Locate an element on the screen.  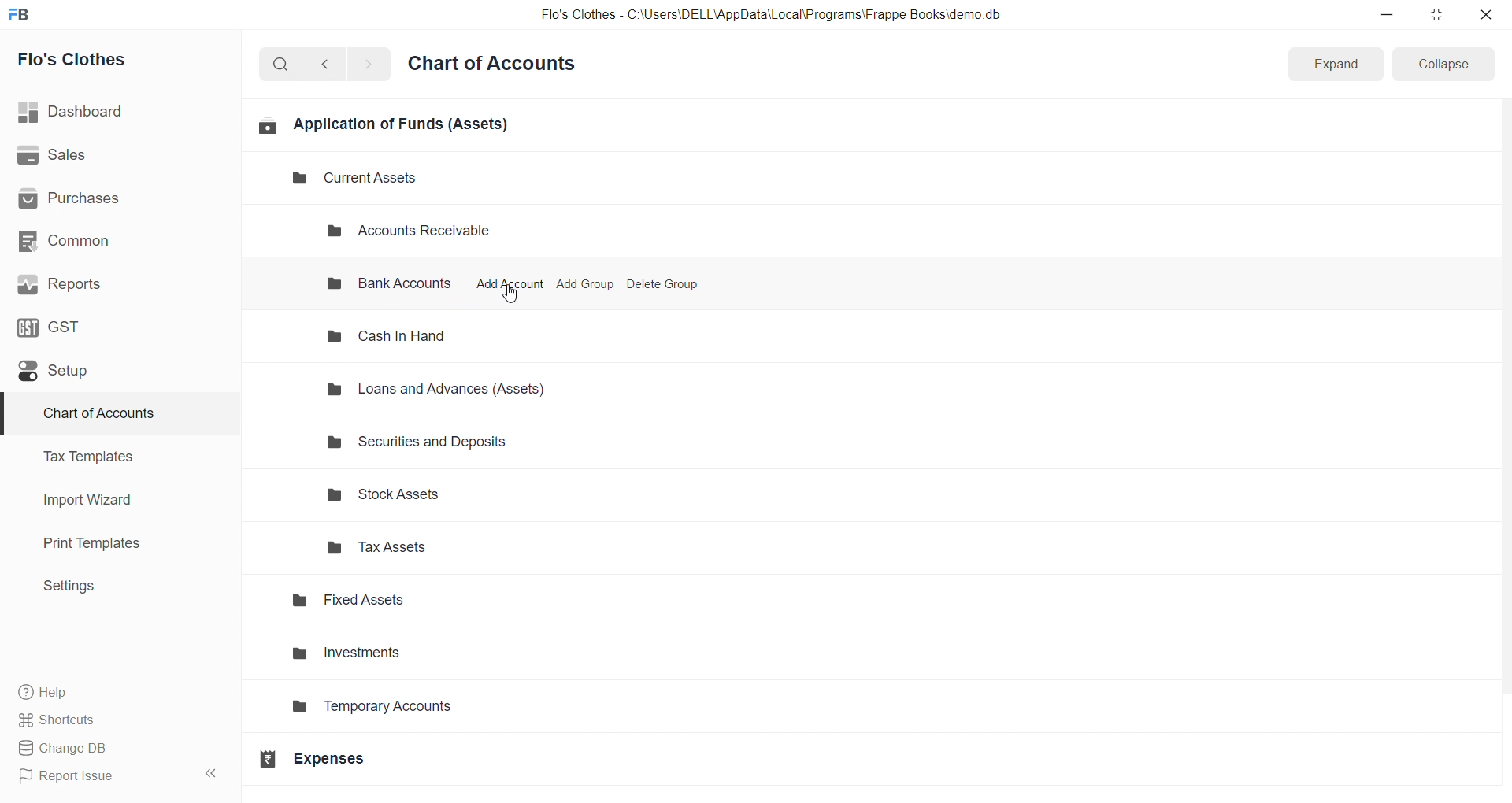
Investments is located at coordinates (427, 657).